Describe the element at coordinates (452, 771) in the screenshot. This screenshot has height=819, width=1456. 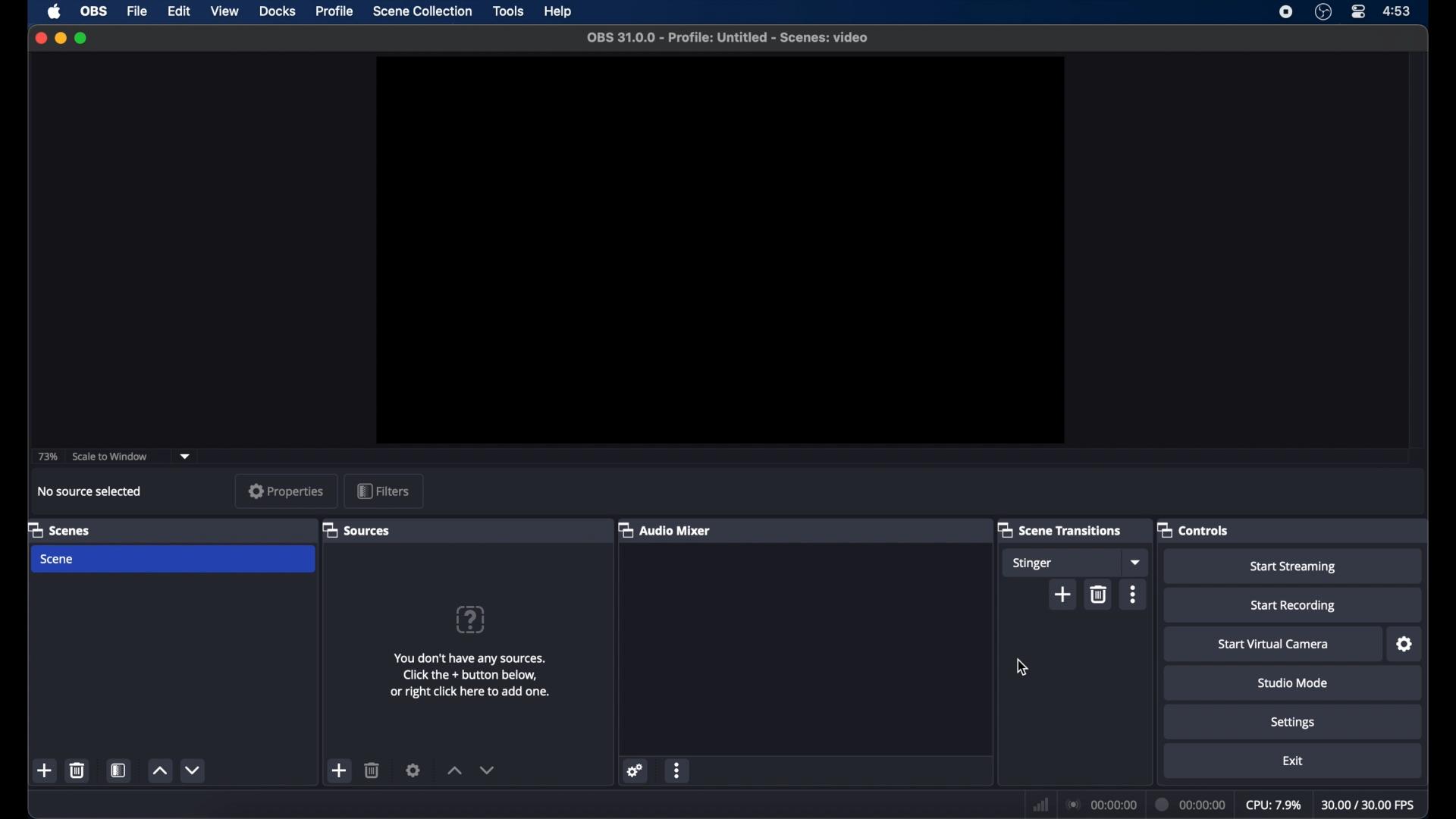
I see `increment` at that location.